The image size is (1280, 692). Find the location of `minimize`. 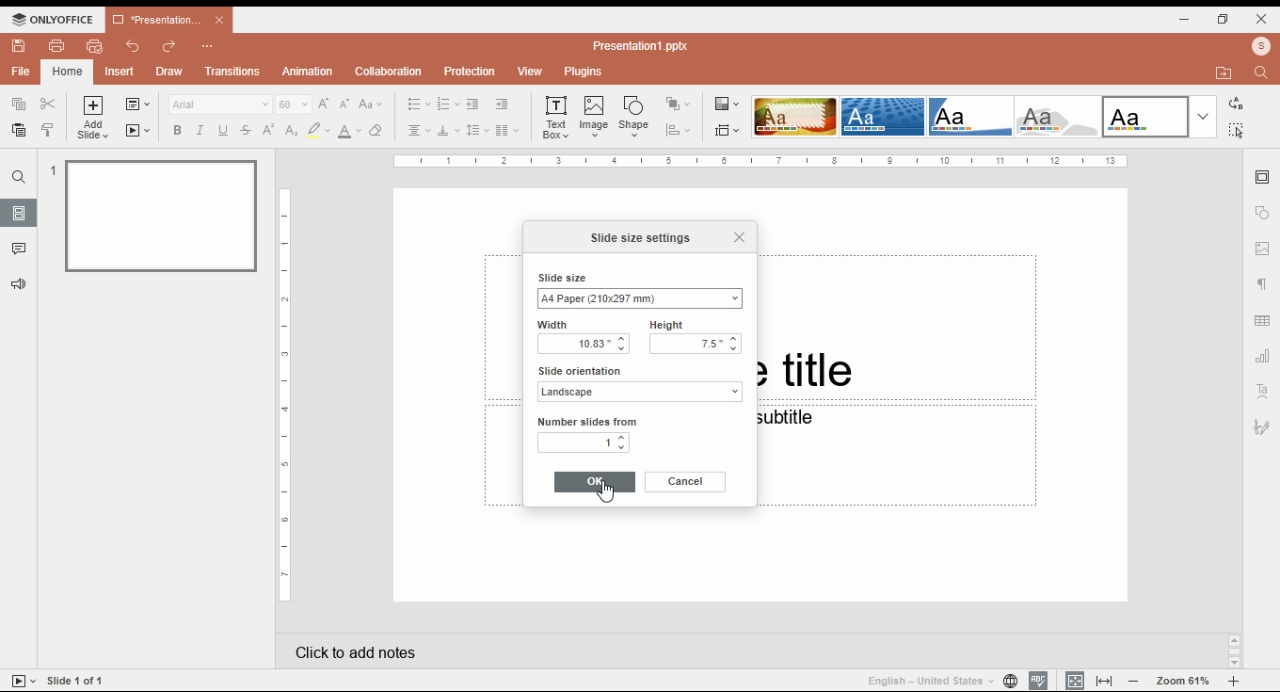

minimize is located at coordinates (1185, 18).